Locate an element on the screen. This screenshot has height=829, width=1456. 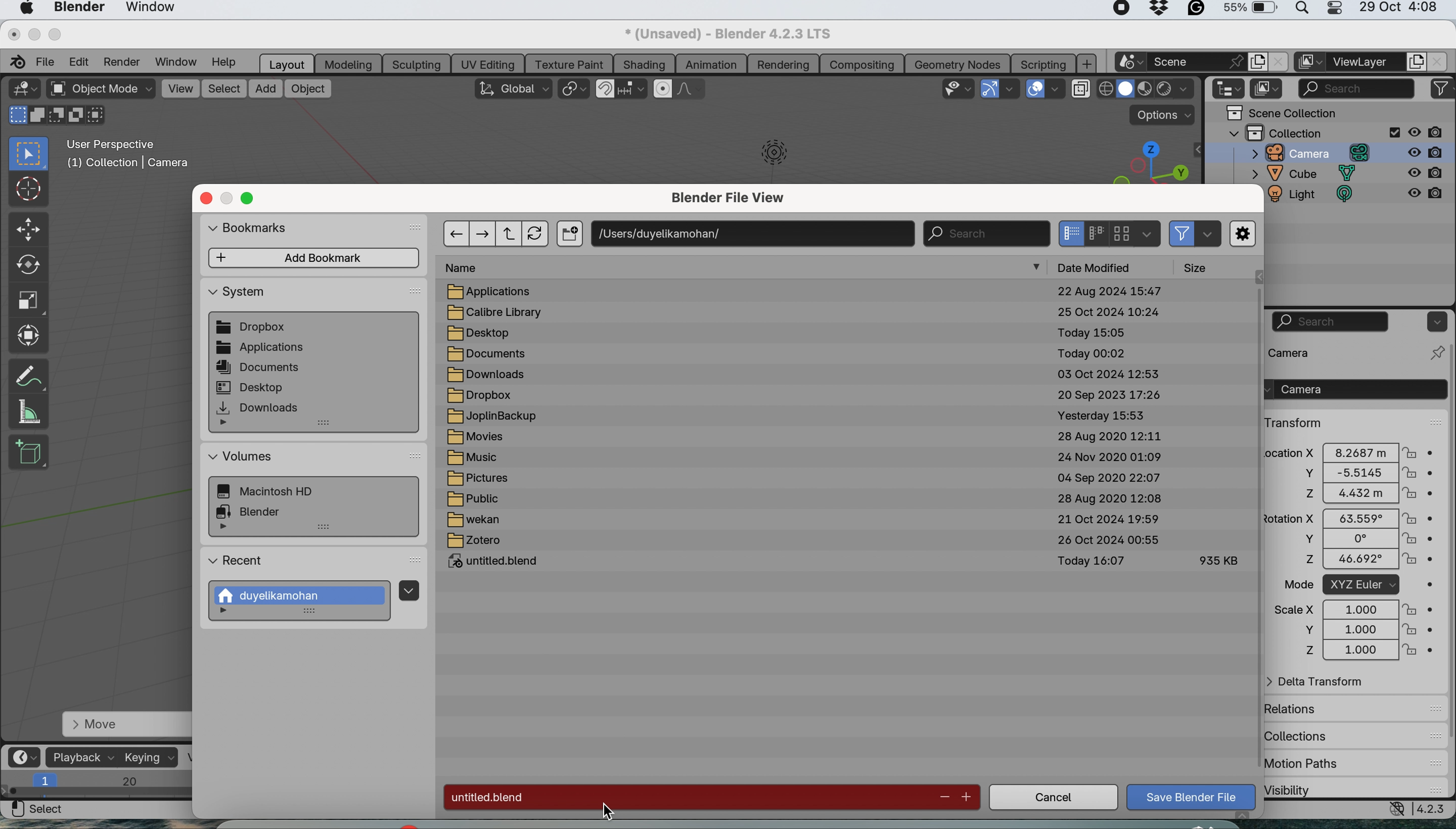
new scene is located at coordinates (1129, 63).